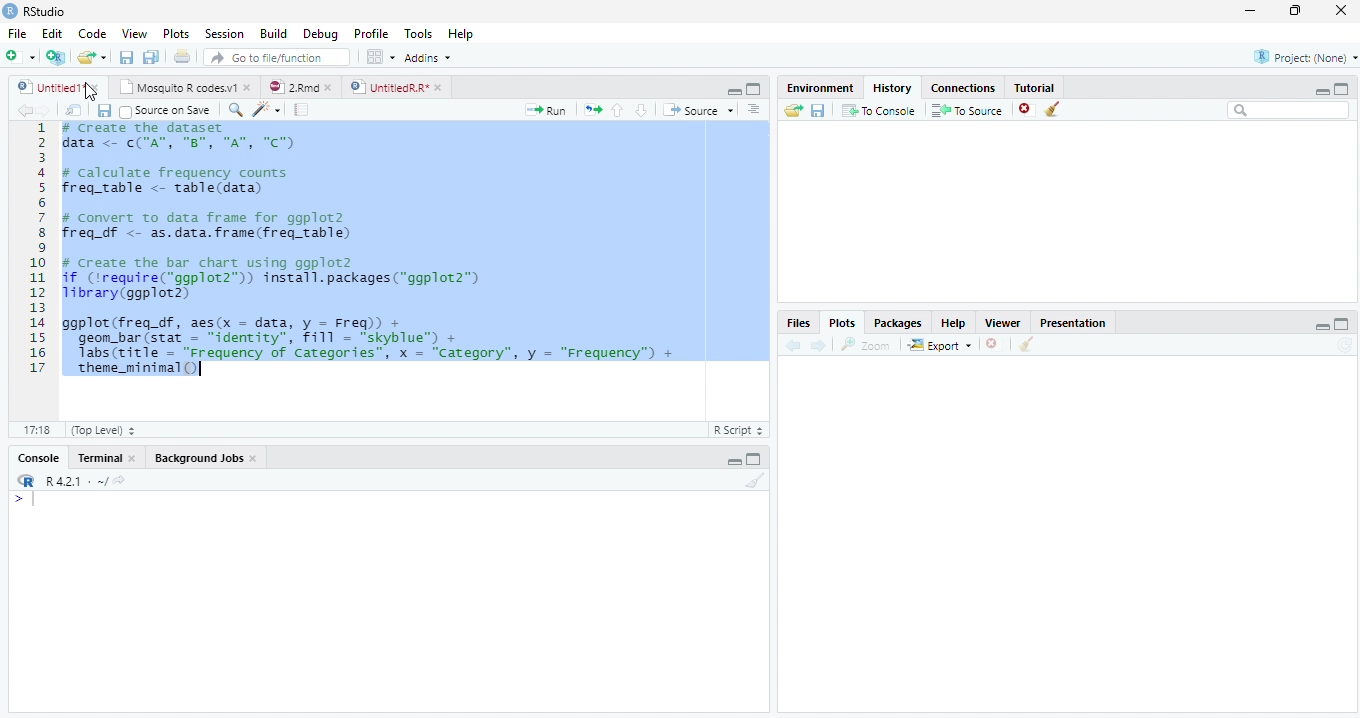  I want to click on Delete , so click(1027, 110).